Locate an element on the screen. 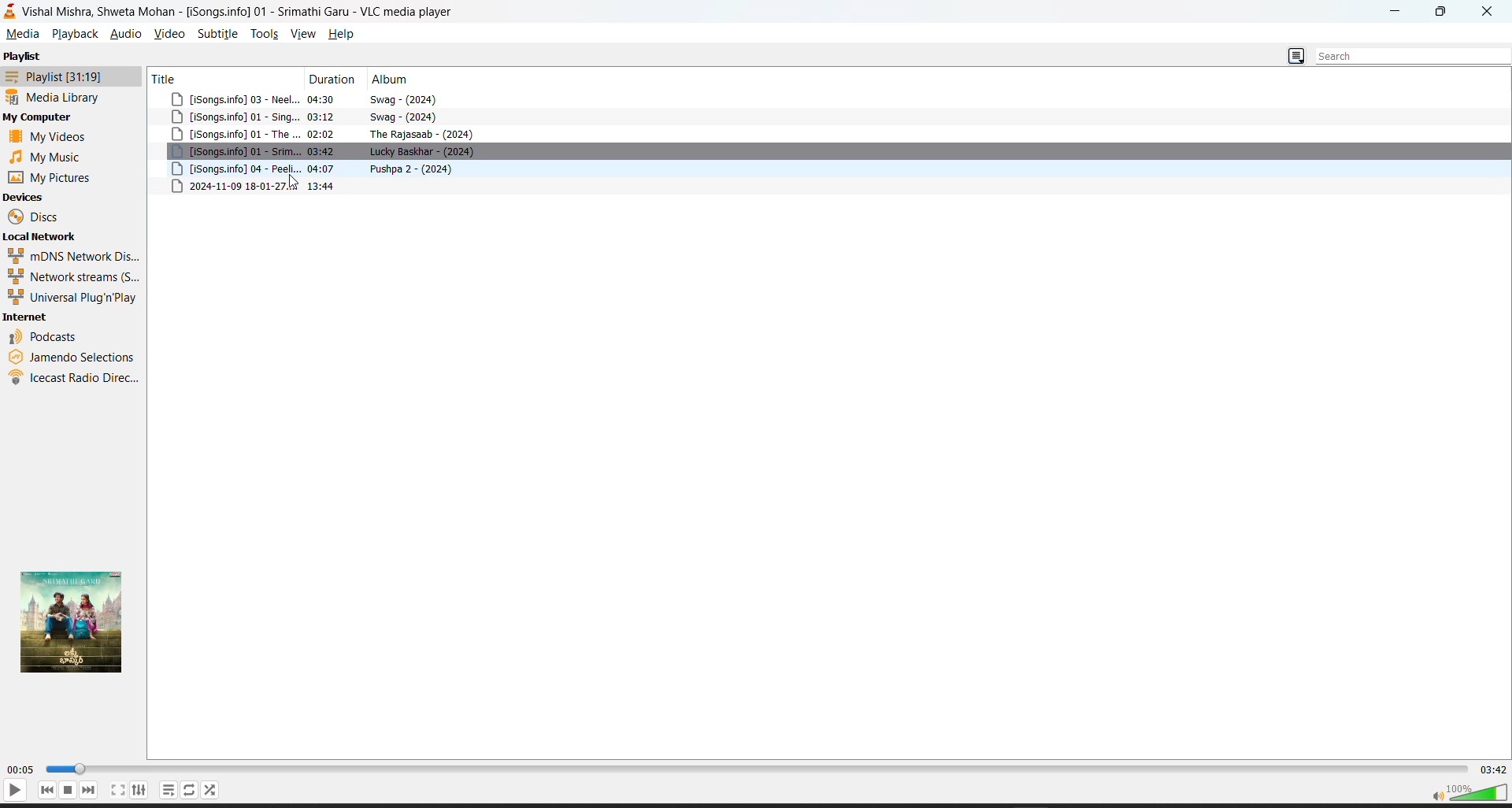 Image resolution: width=1512 pixels, height=808 pixels. universal plug n play is located at coordinates (73, 297).